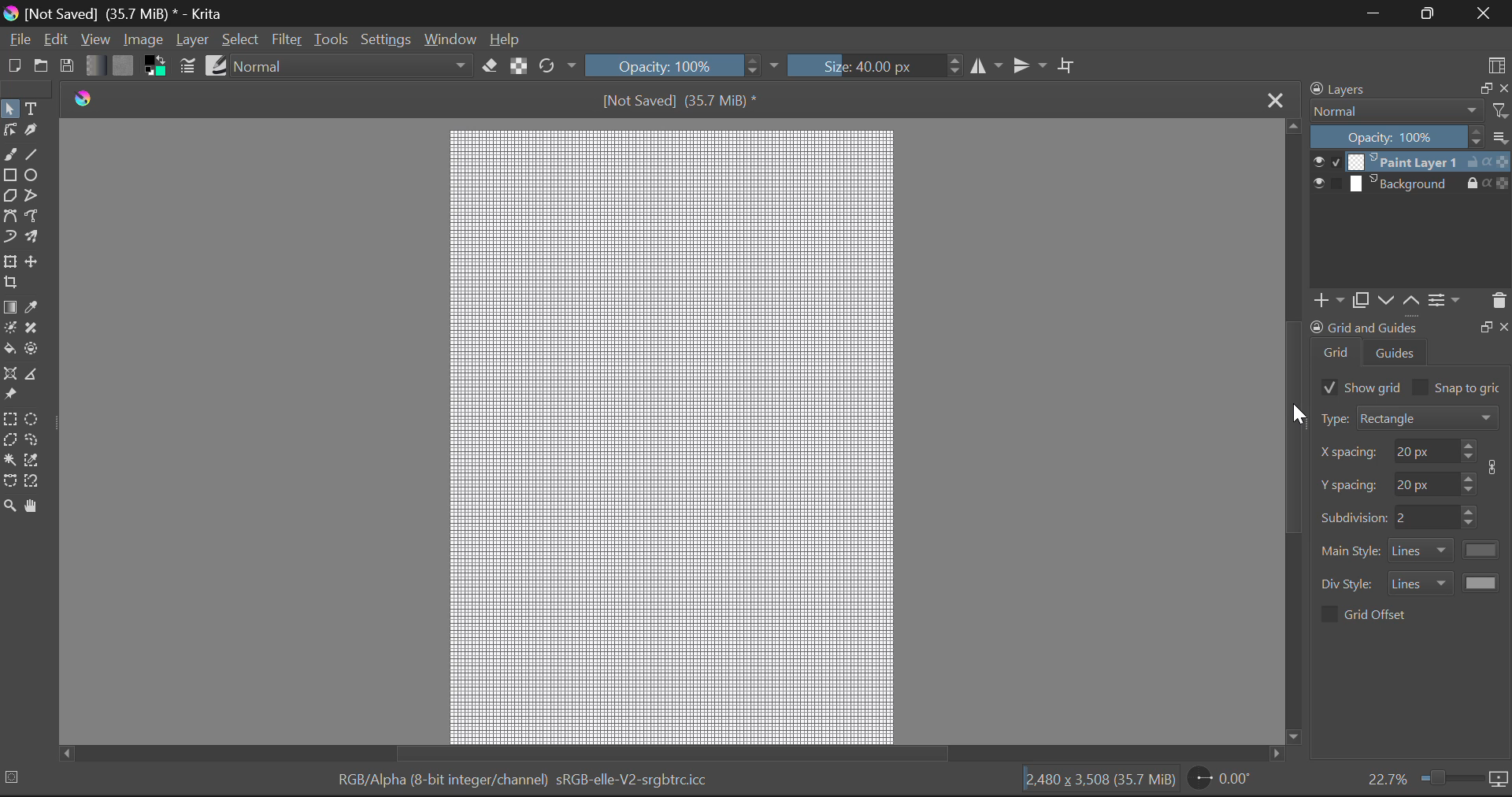 The image size is (1512, 797). I want to click on Line, so click(32, 156).